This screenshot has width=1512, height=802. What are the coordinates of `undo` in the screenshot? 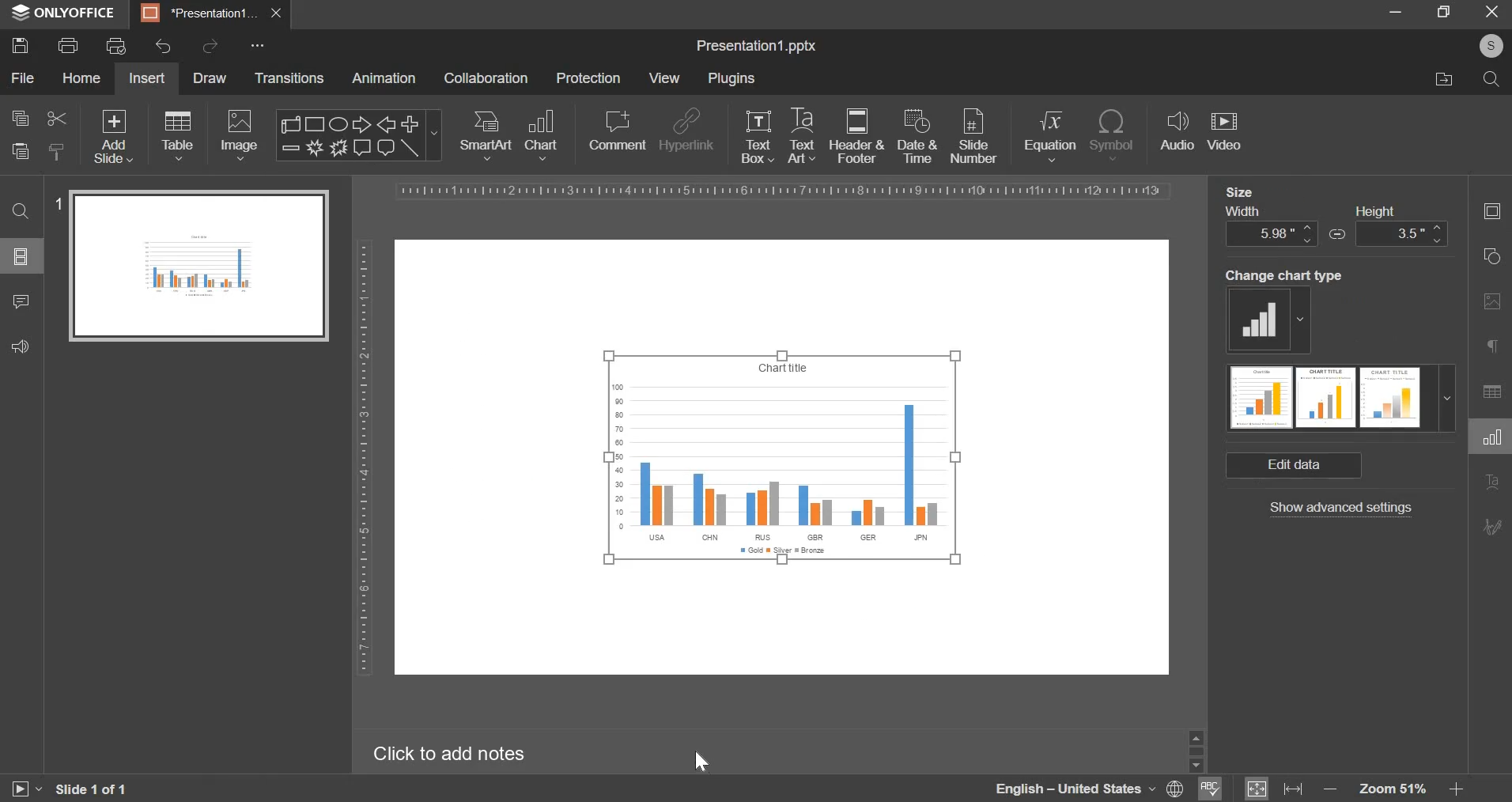 It's located at (164, 47).